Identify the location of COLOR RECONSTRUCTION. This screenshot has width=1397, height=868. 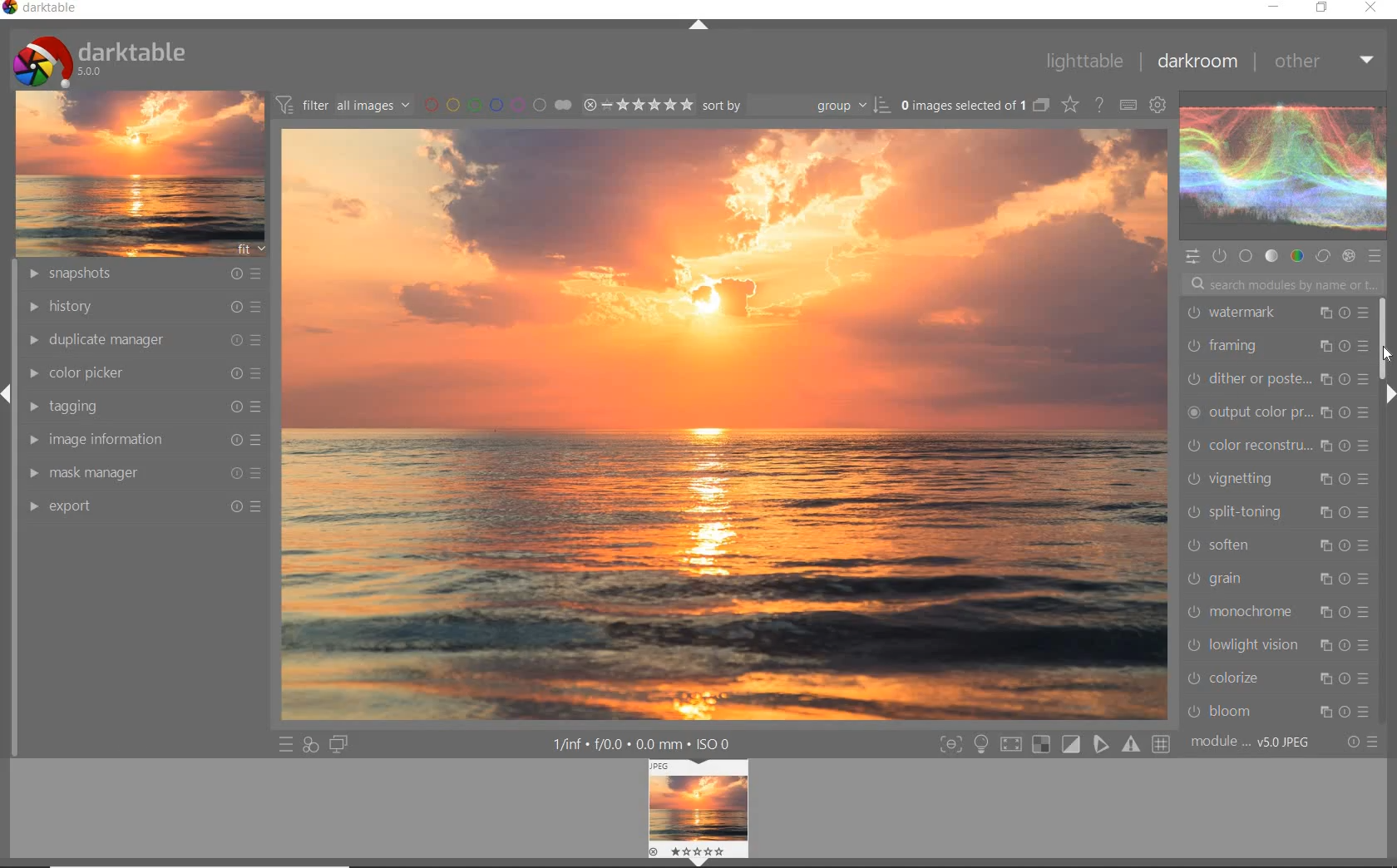
(1277, 446).